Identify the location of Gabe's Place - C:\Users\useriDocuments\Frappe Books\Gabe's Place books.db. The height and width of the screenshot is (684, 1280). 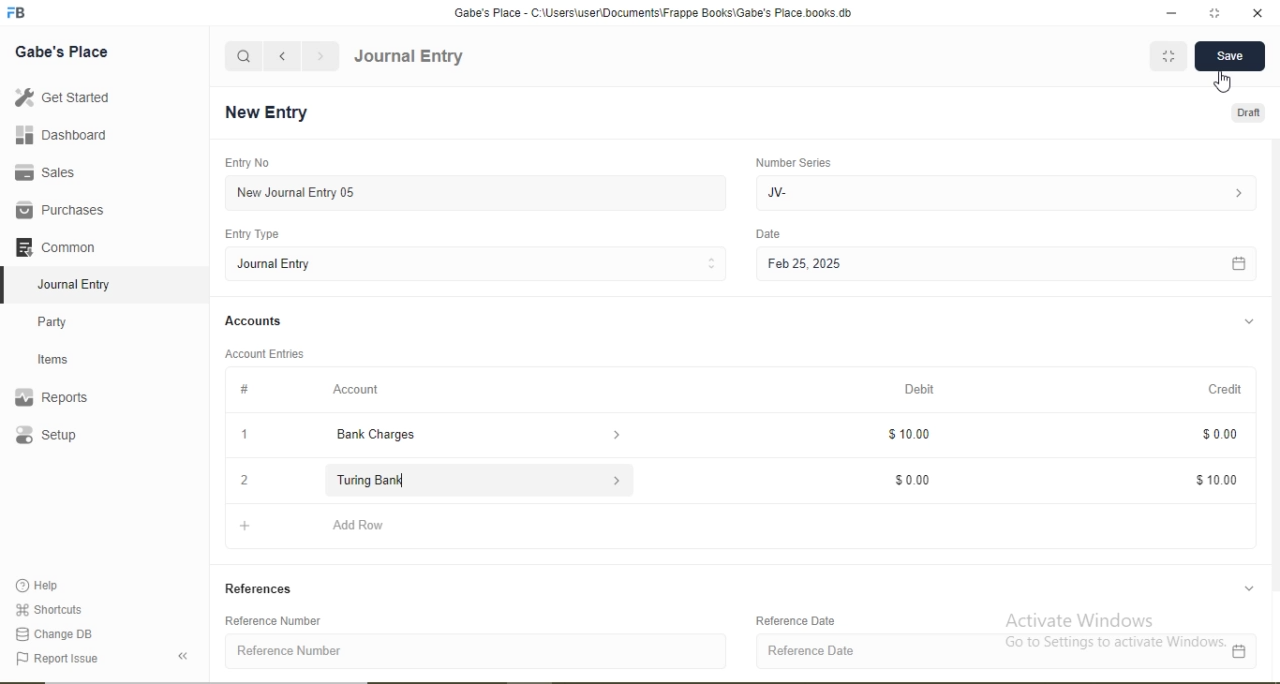
(655, 12).